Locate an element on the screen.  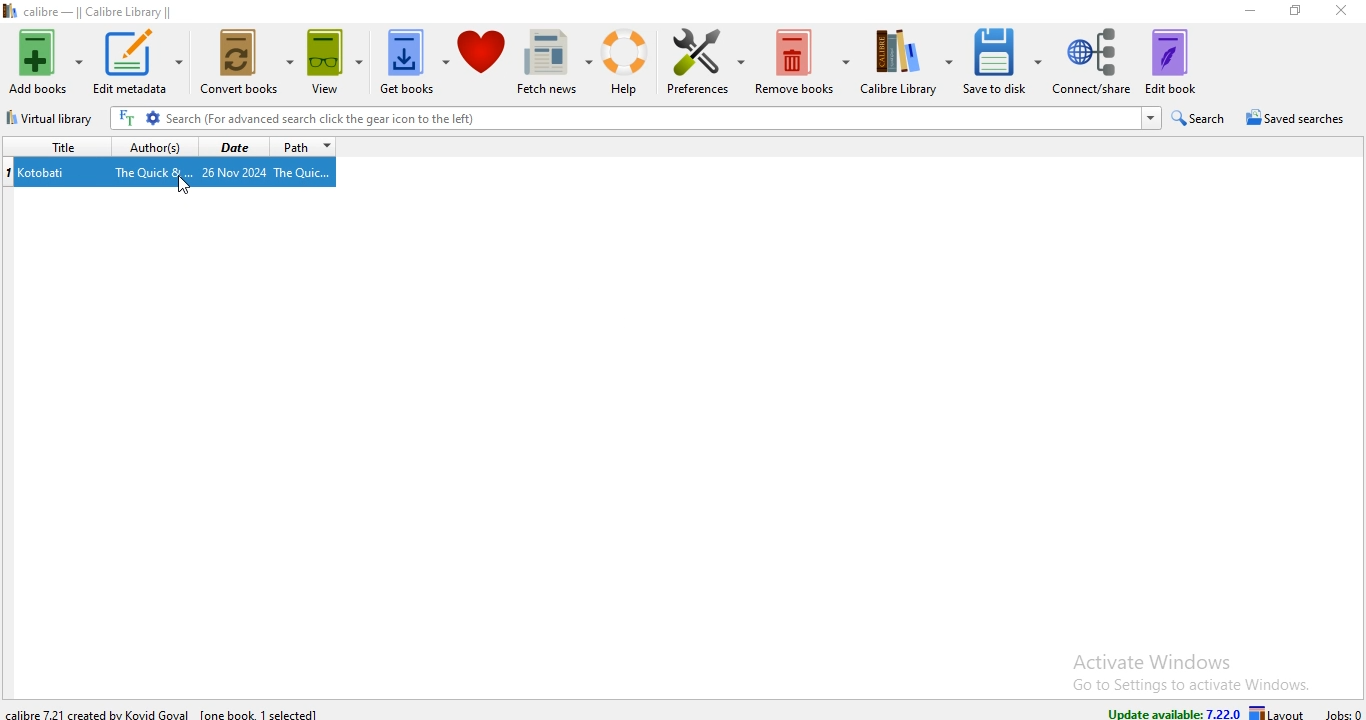
connect/share is located at coordinates (1092, 61).